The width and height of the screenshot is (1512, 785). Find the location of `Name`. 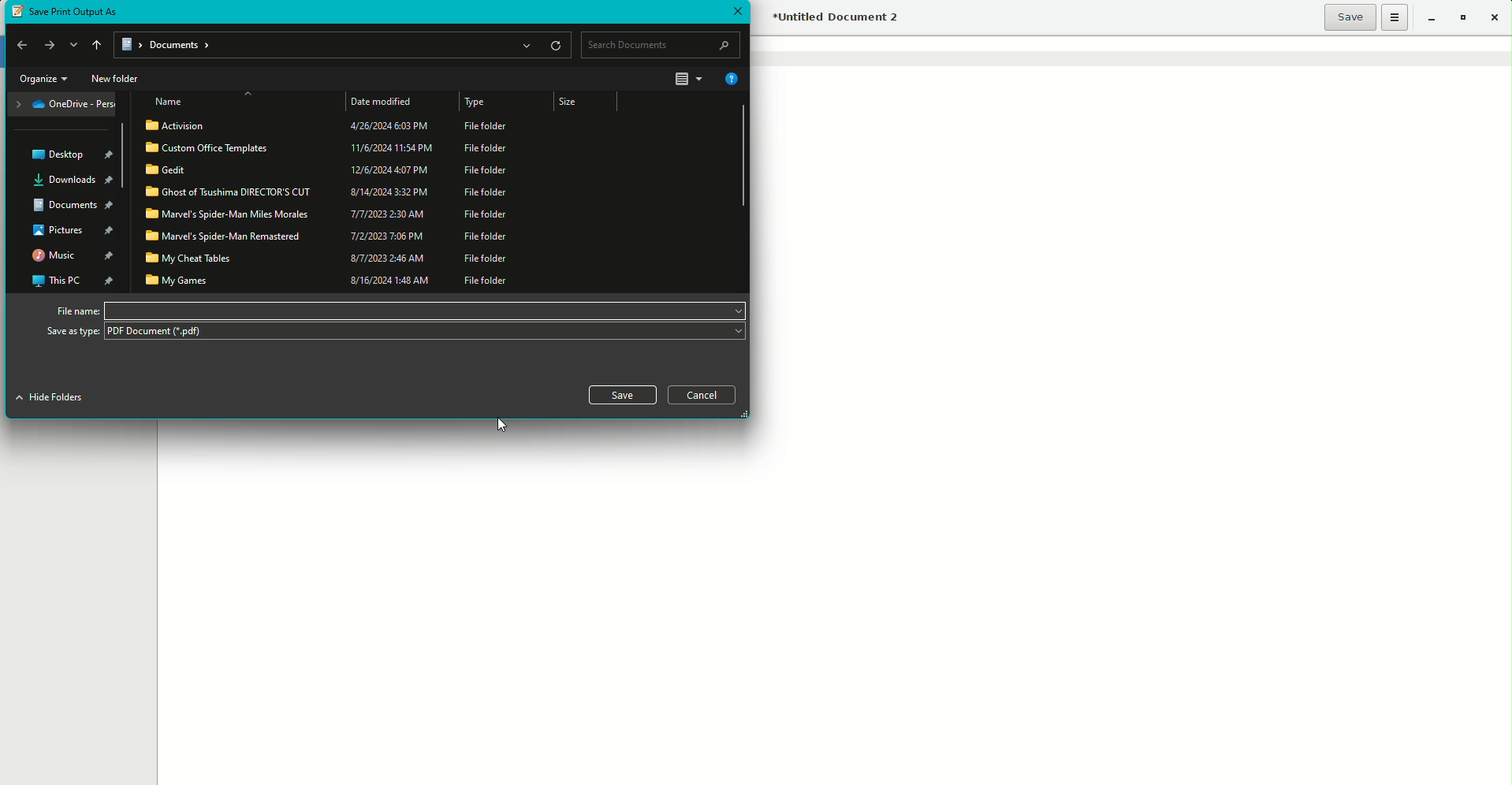

Name is located at coordinates (170, 101).